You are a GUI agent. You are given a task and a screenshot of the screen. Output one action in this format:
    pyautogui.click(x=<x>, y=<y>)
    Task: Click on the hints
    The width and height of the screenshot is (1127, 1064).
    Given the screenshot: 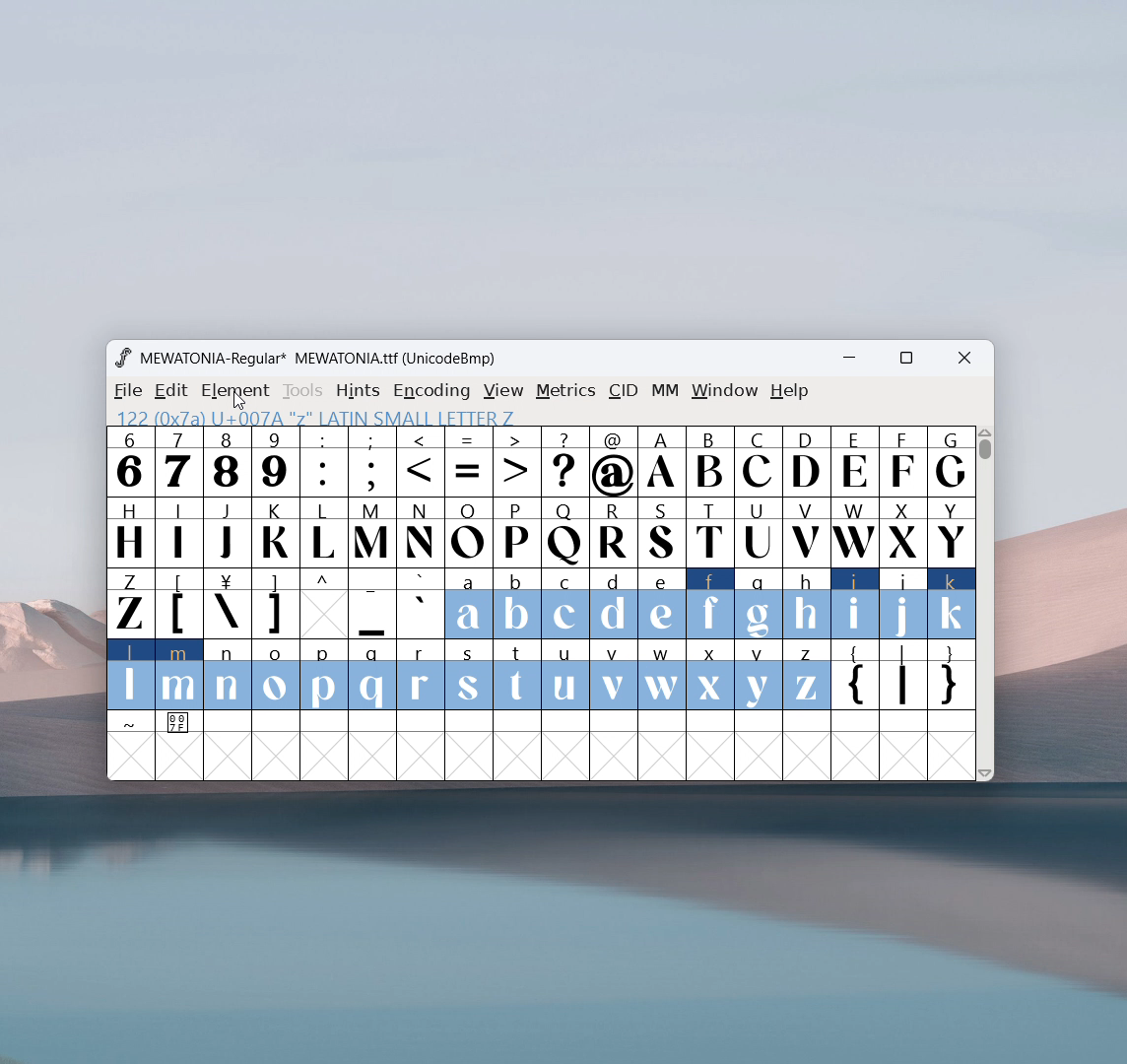 What is the action you would take?
    pyautogui.click(x=360, y=390)
    